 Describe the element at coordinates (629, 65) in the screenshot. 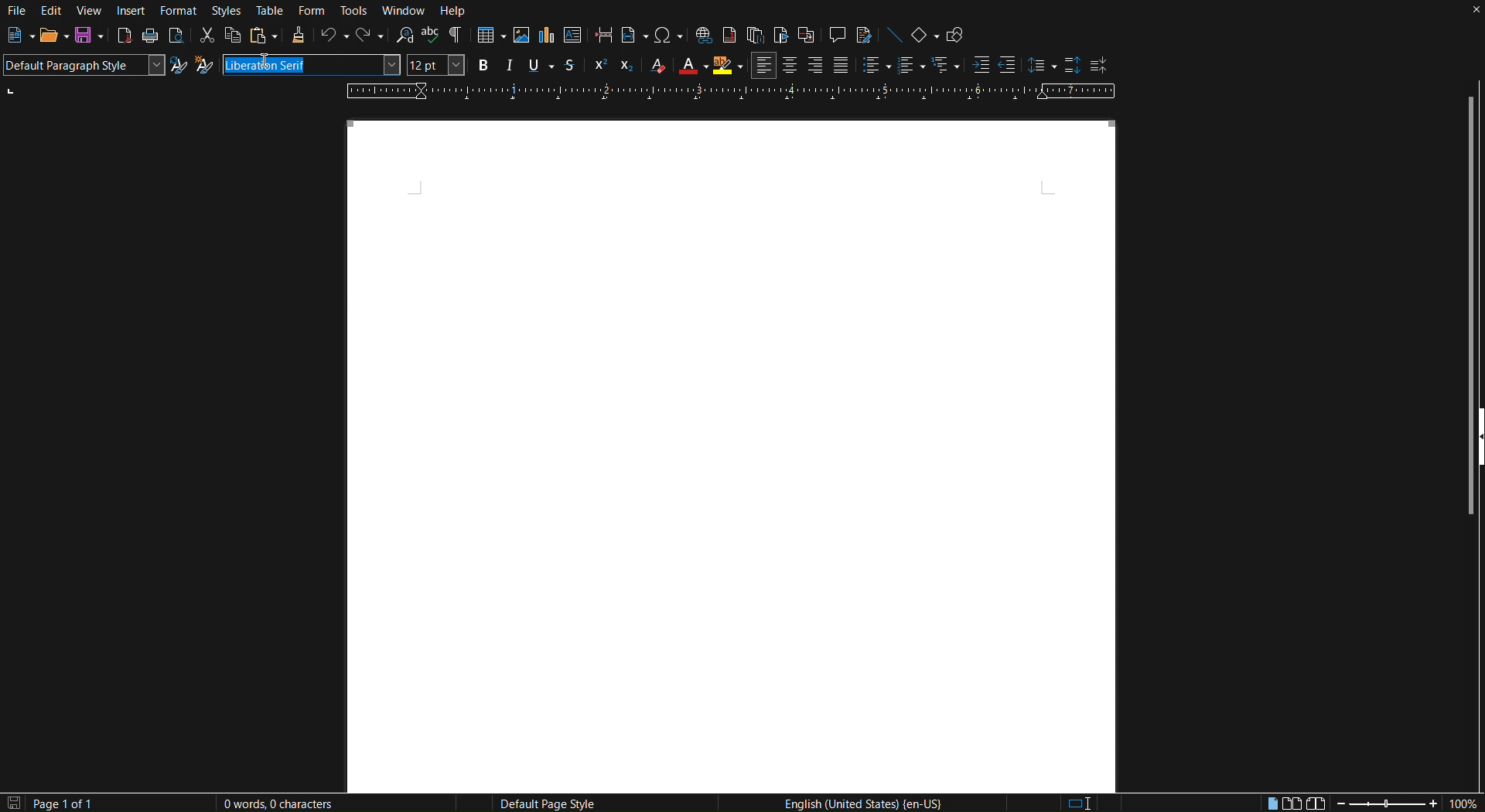

I see `Subscript` at that location.